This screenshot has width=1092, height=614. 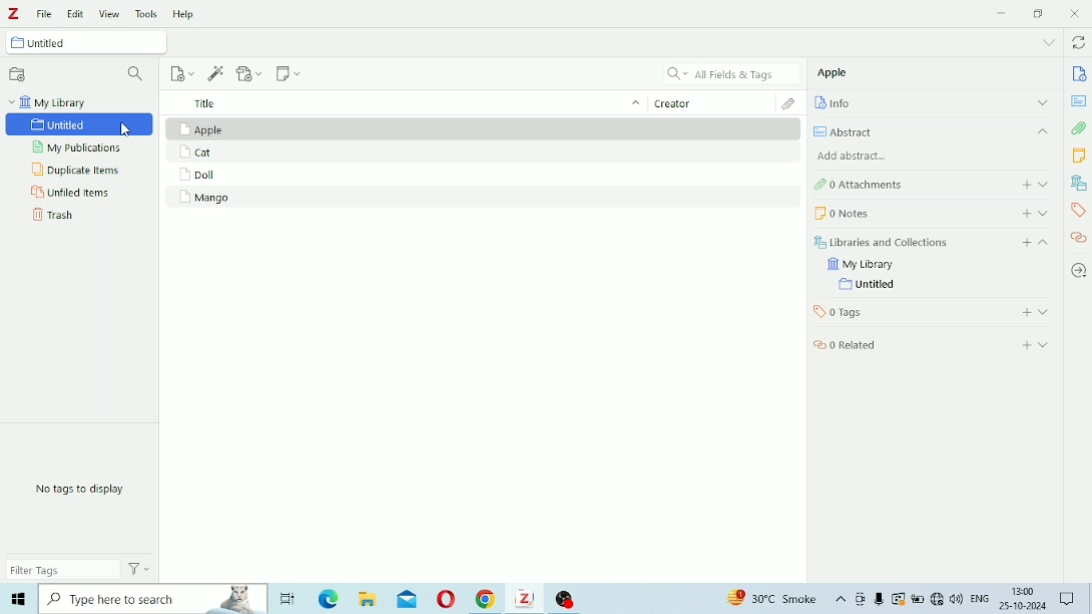 What do you see at coordinates (1043, 312) in the screenshot?
I see `Expand section` at bounding box center [1043, 312].